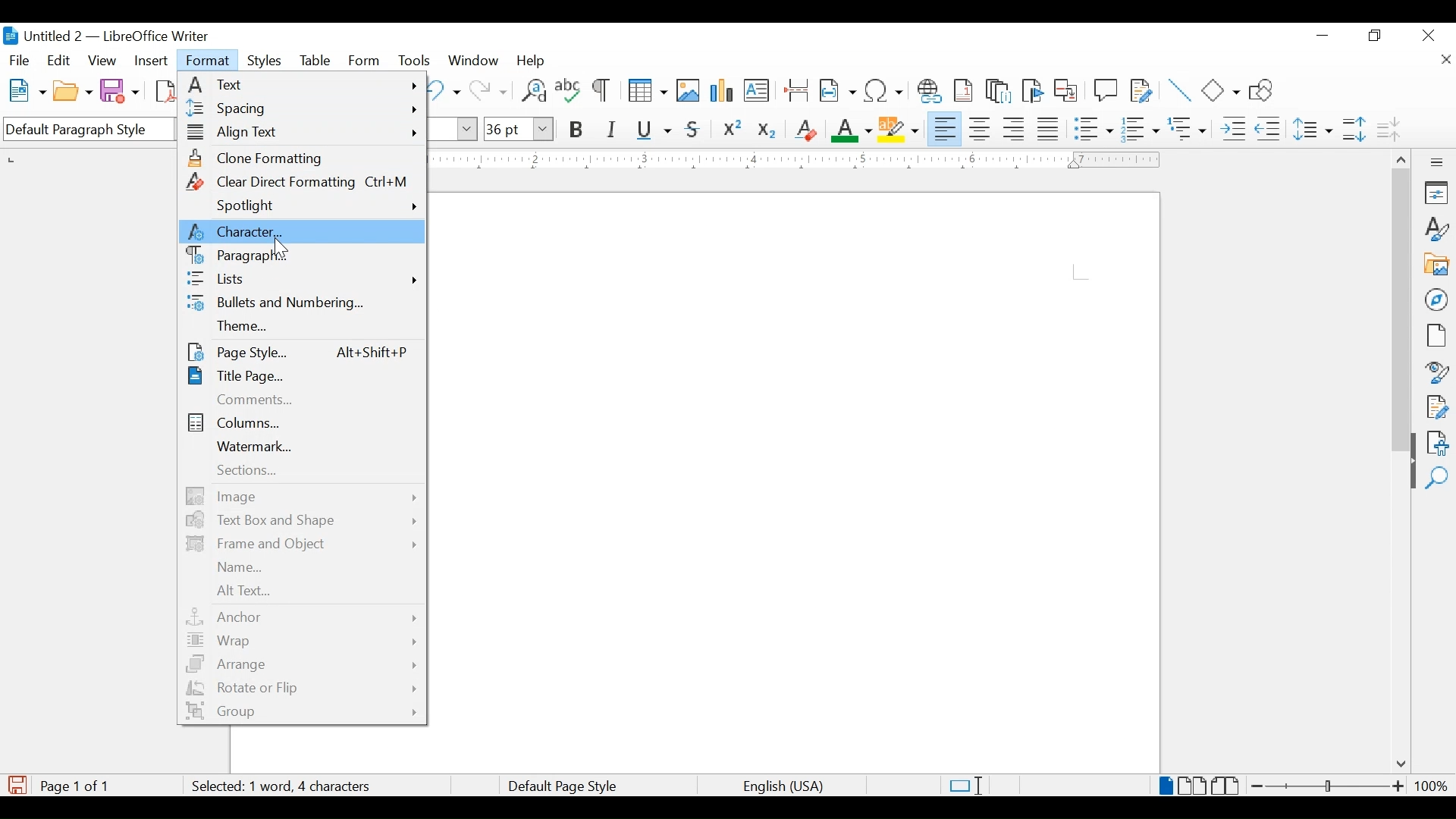  What do you see at coordinates (577, 130) in the screenshot?
I see `bold` at bounding box center [577, 130].